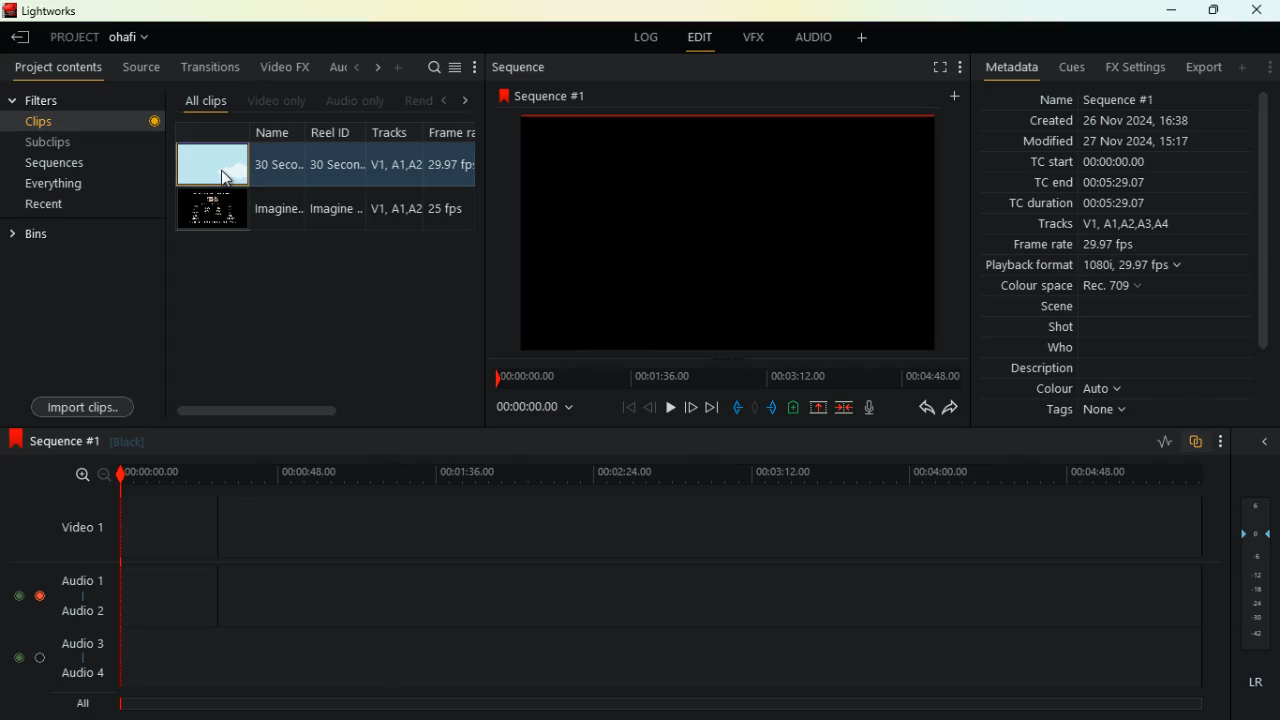 The width and height of the screenshot is (1280, 720). Describe the element at coordinates (78, 577) in the screenshot. I see `audio1` at that location.